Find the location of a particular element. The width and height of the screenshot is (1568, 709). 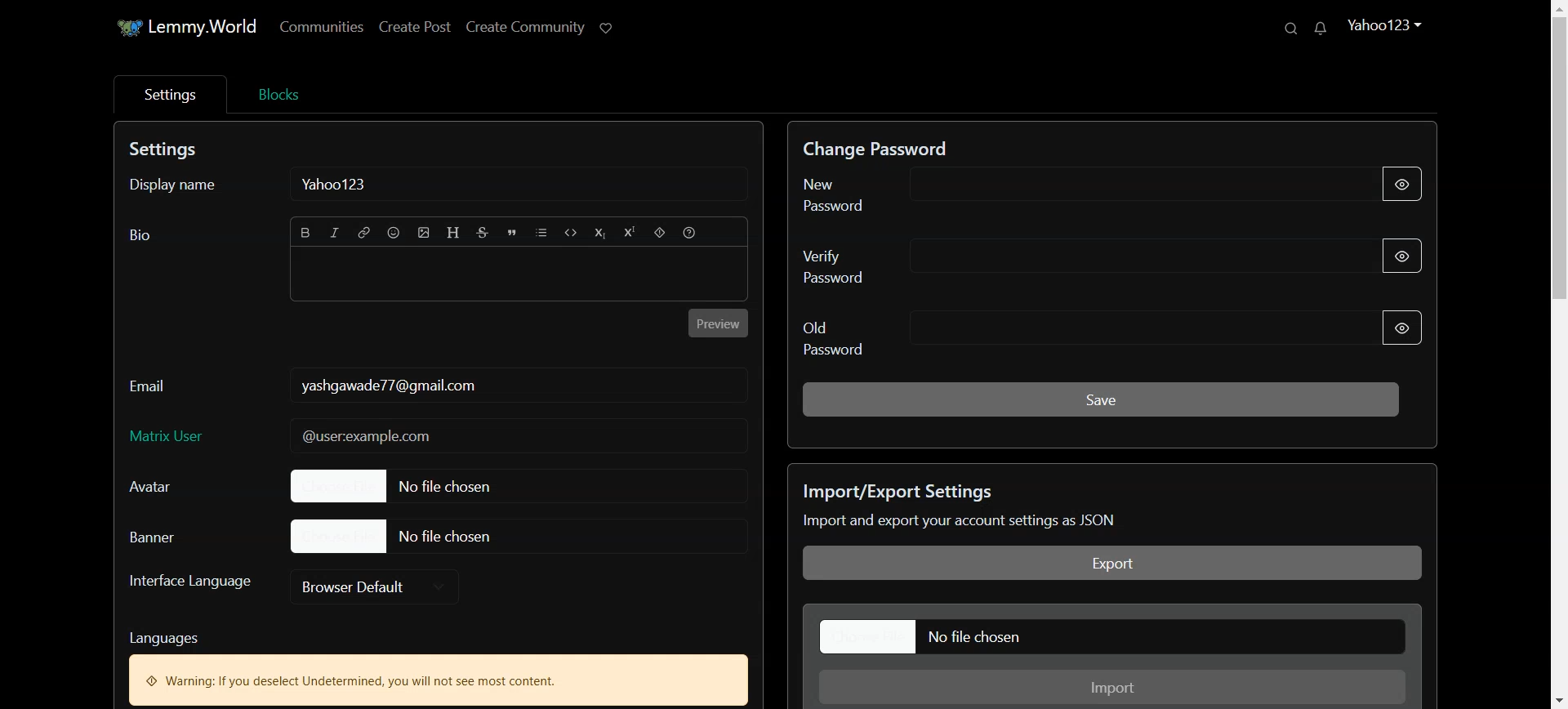

Strikethrough is located at coordinates (483, 234).